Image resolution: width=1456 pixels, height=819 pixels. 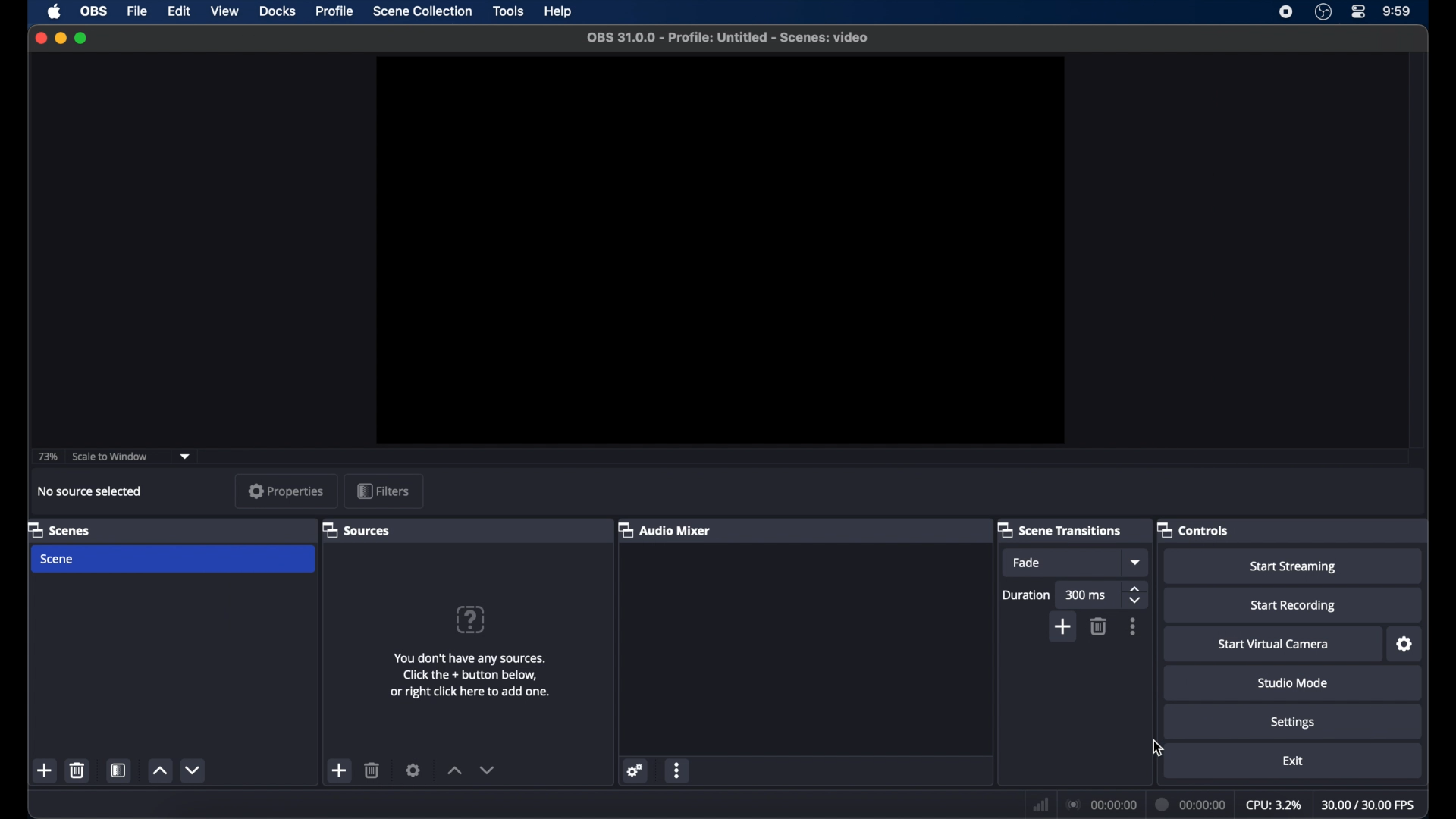 What do you see at coordinates (77, 770) in the screenshot?
I see `delete` at bounding box center [77, 770].